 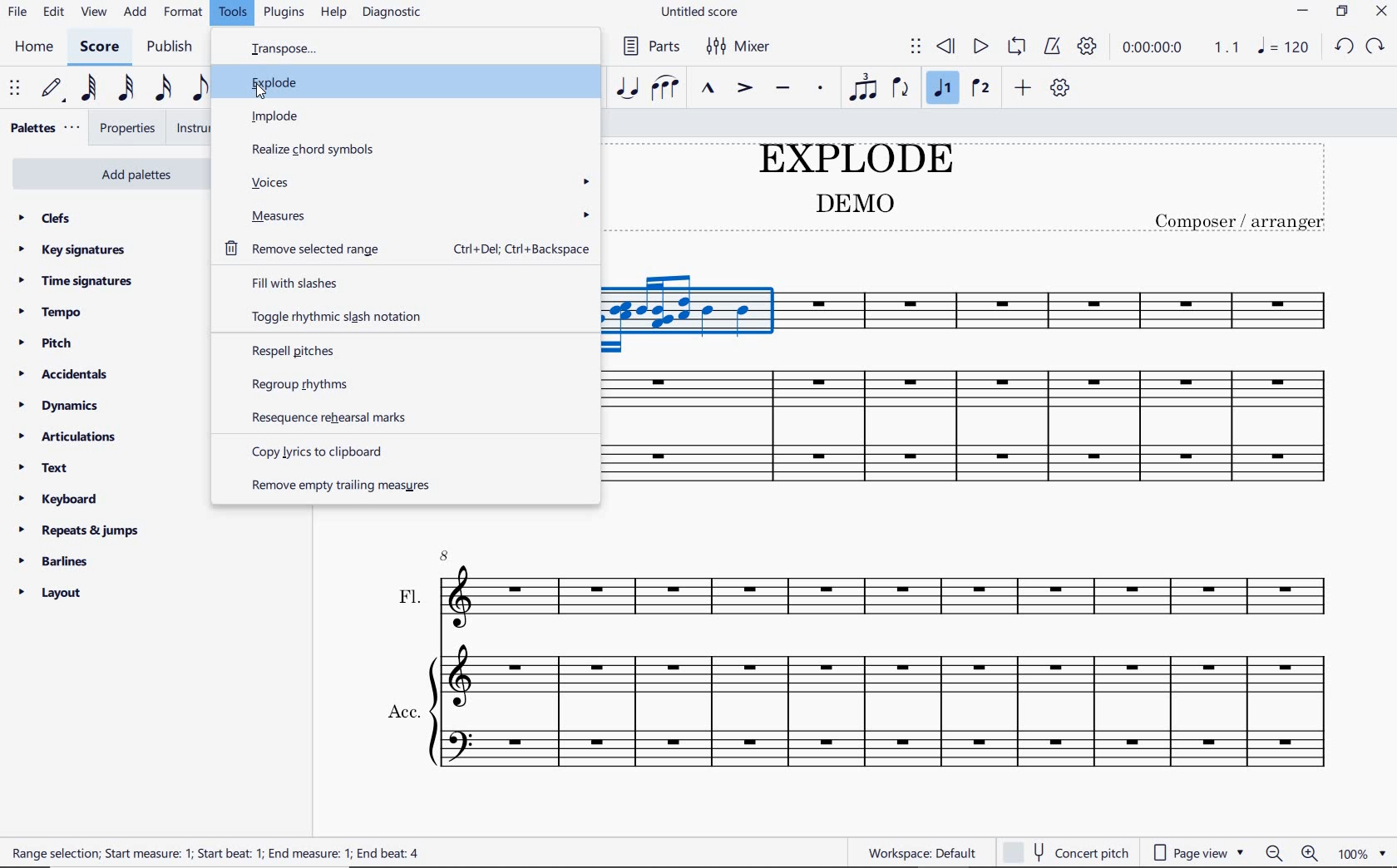 I want to click on page view, so click(x=1201, y=850).